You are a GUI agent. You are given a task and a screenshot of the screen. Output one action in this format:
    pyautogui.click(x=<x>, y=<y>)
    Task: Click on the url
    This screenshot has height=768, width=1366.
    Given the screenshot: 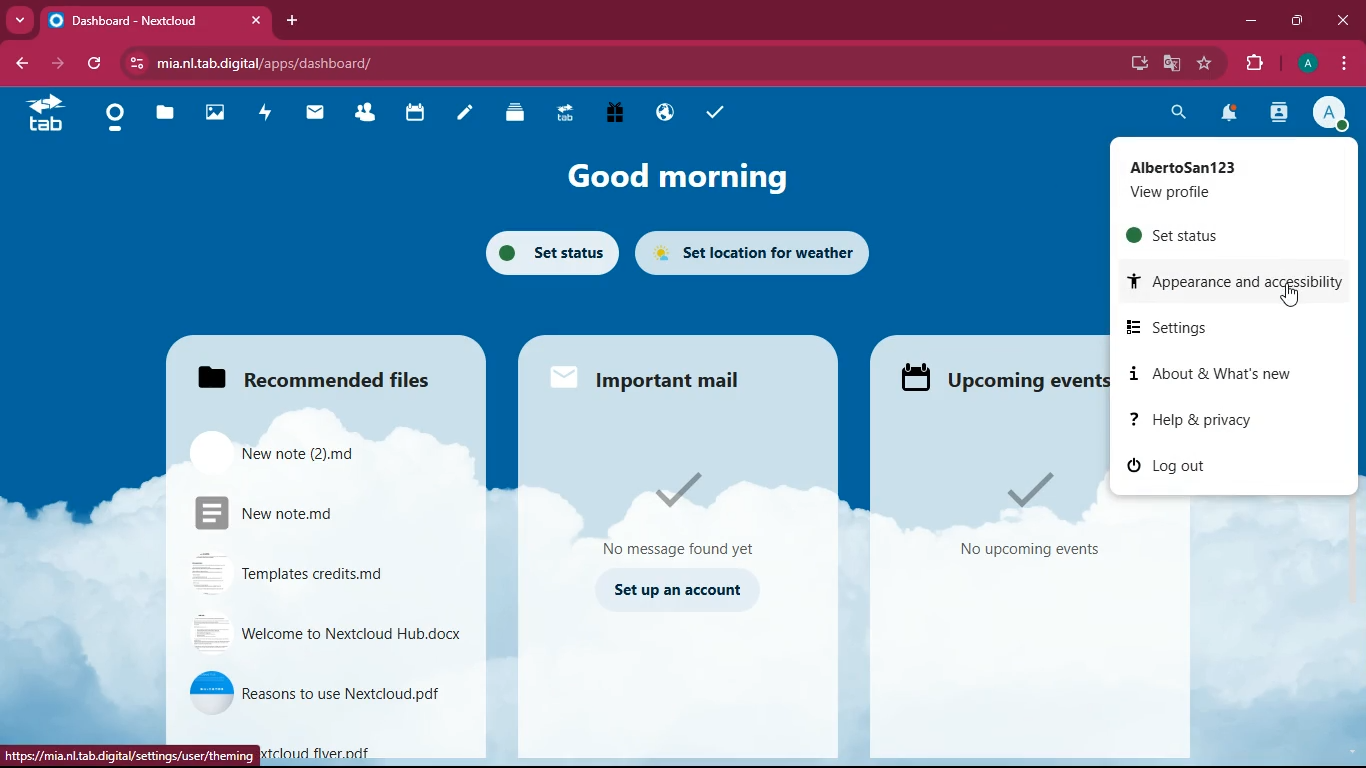 What is the action you would take?
    pyautogui.click(x=131, y=756)
    